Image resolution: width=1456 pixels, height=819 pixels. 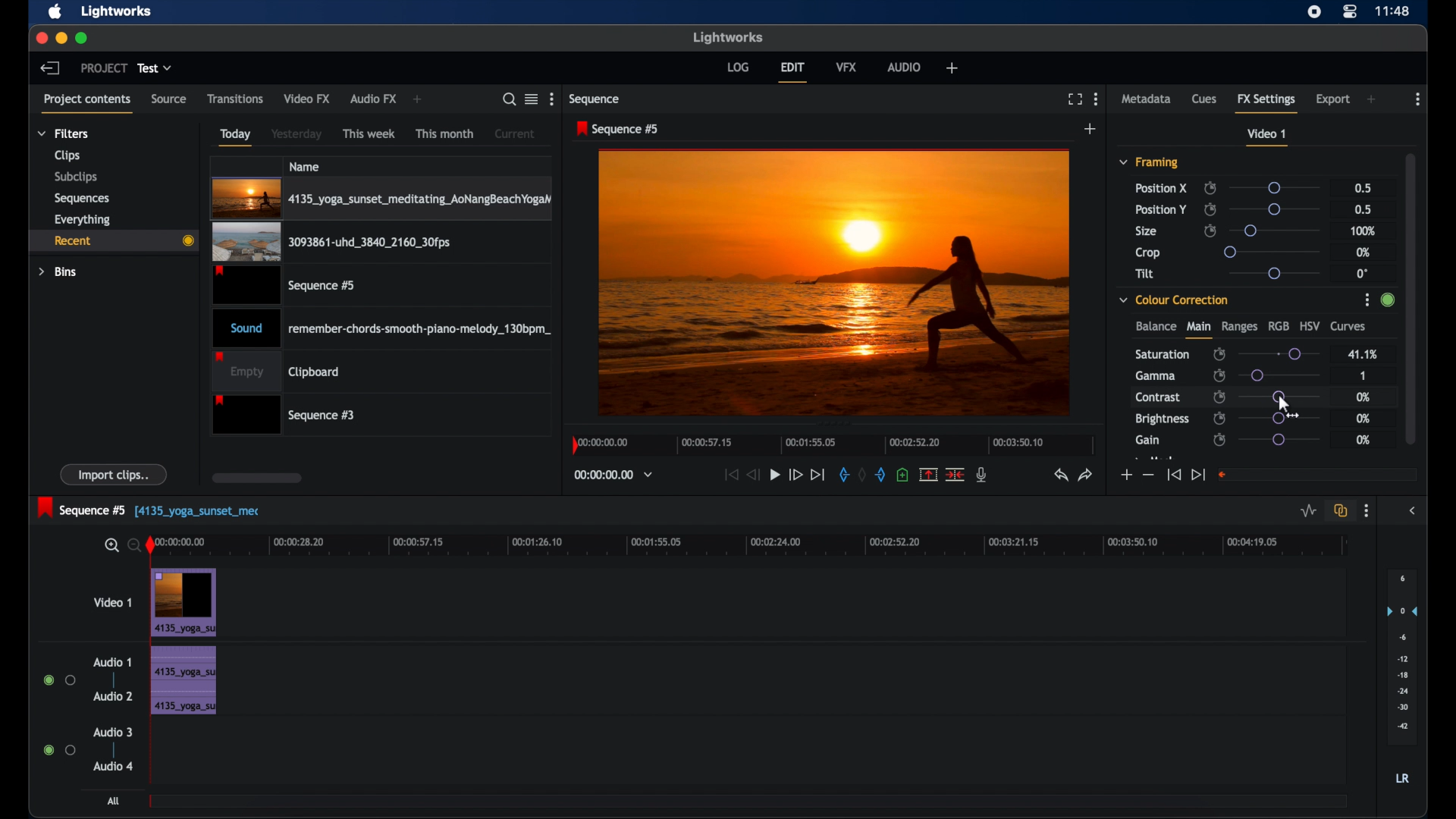 What do you see at coordinates (955, 474) in the screenshot?
I see `cut` at bounding box center [955, 474].